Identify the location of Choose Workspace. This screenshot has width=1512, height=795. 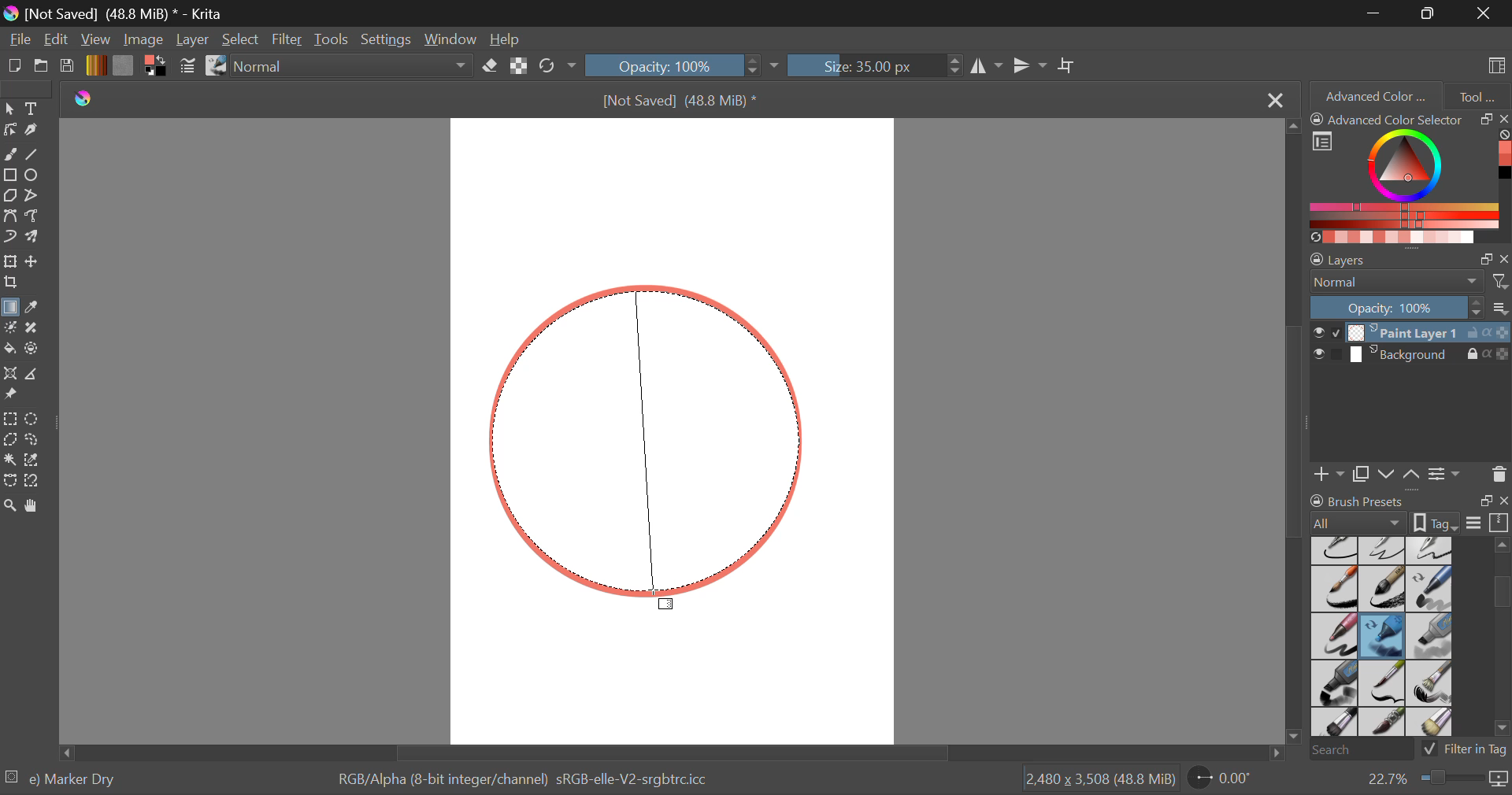
(1494, 64).